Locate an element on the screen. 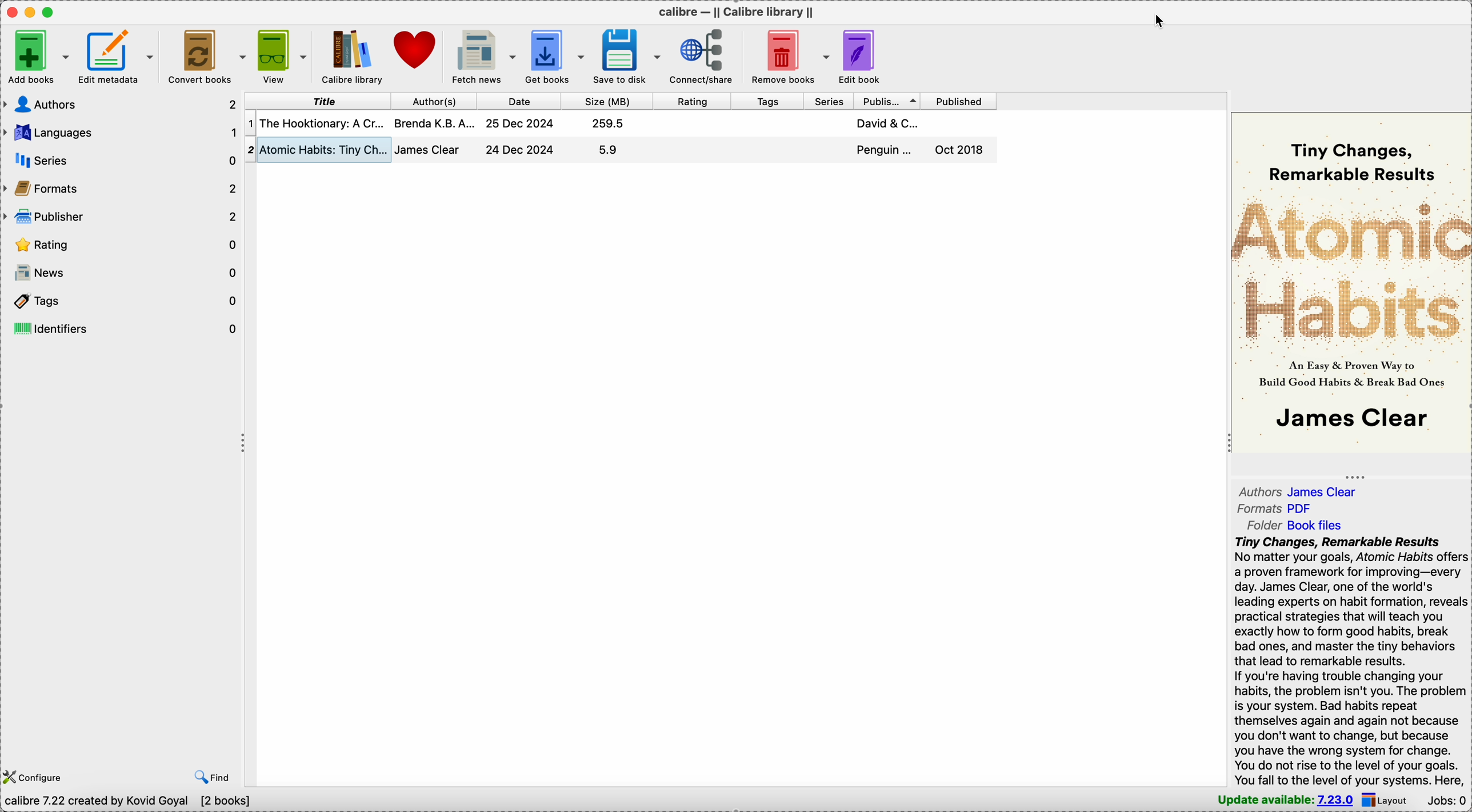  penguin... is located at coordinates (883, 150).